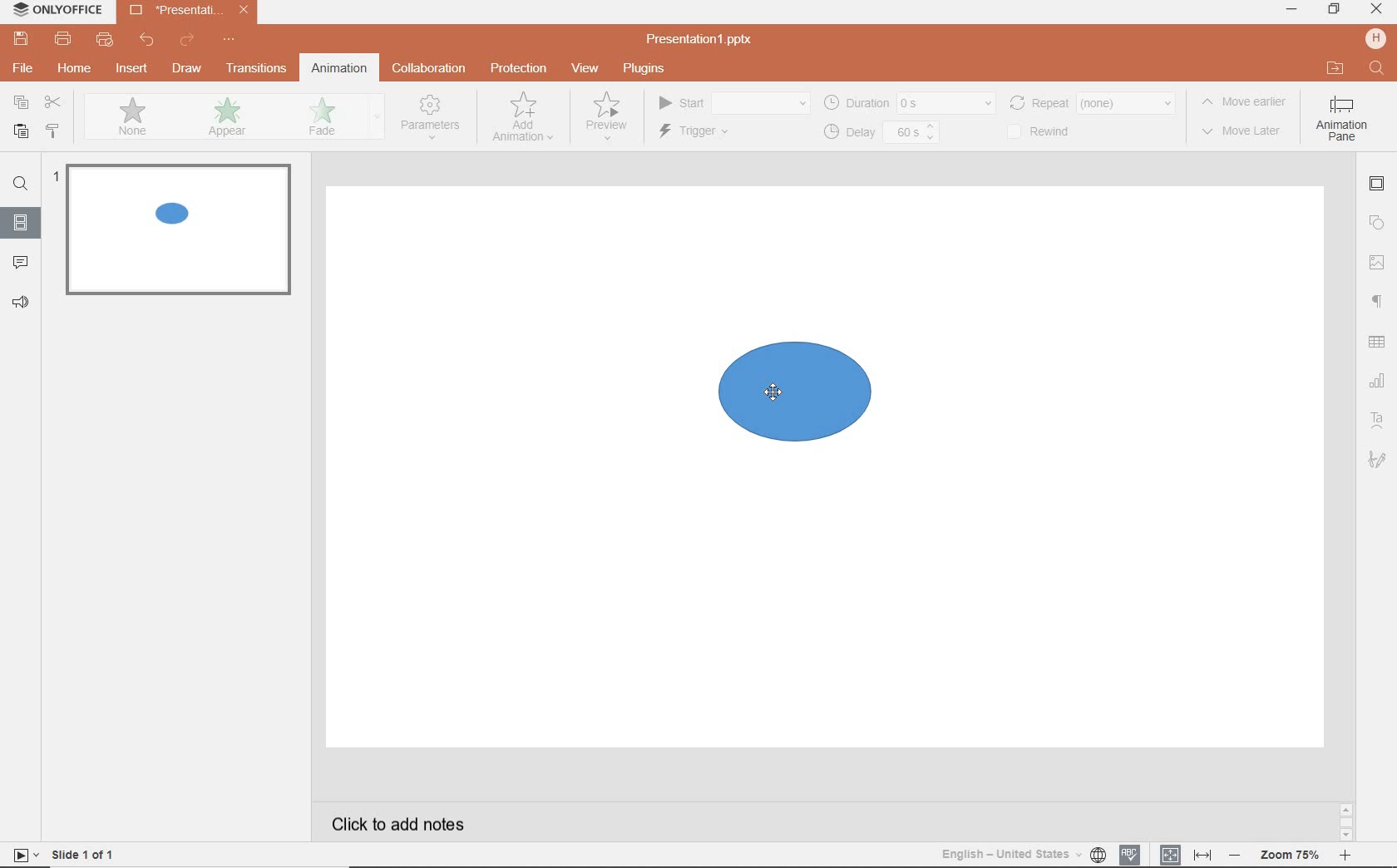  What do you see at coordinates (21, 186) in the screenshot?
I see `find` at bounding box center [21, 186].